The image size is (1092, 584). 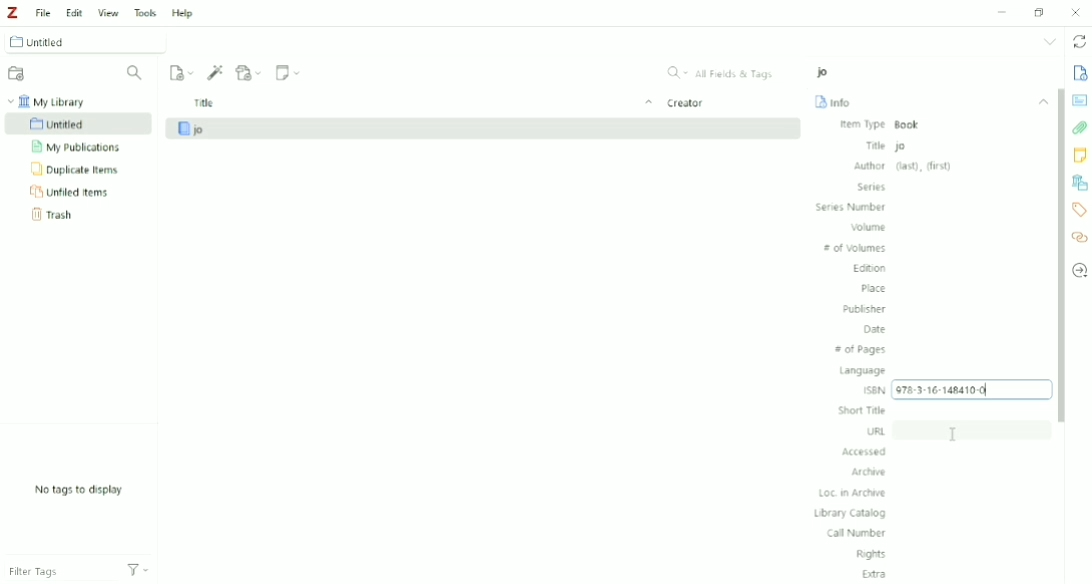 I want to click on Item Type Book, so click(x=889, y=125).